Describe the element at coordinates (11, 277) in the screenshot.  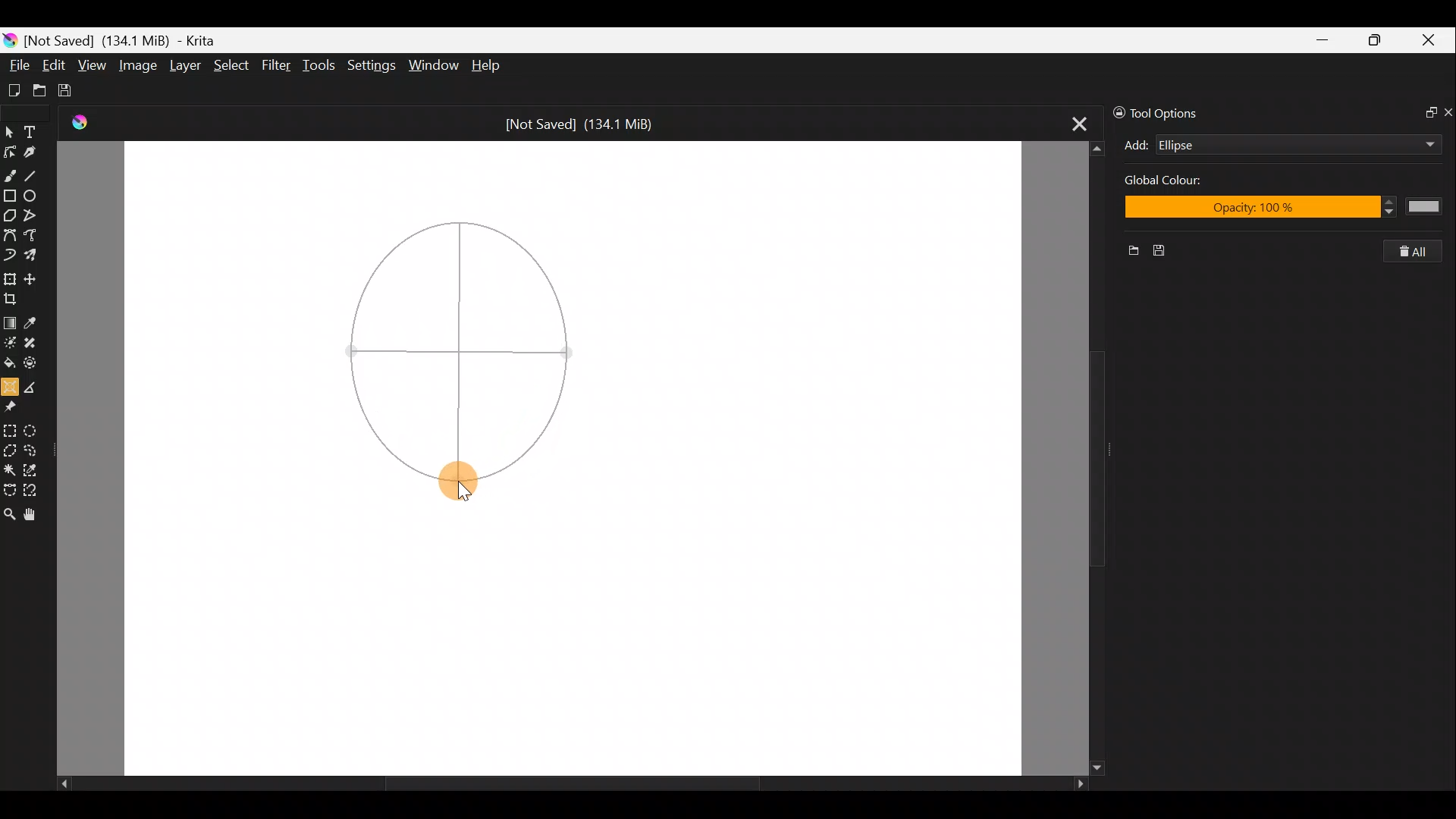
I see `Transform a layer/selection` at that location.